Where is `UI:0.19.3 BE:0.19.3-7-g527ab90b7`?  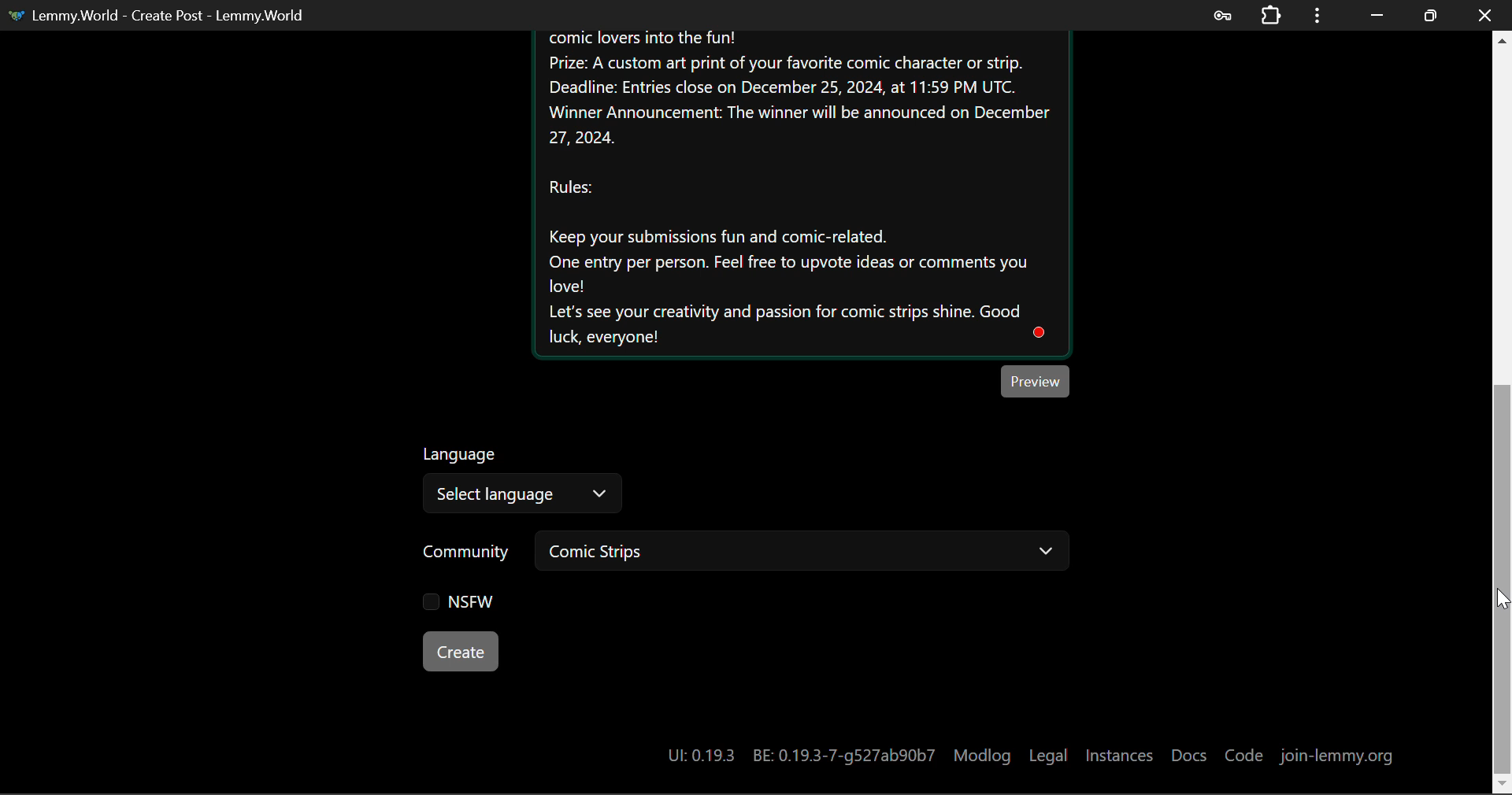
UI:0.19.3 BE:0.19.3-7-g527ab90b7 is located at coordinates (800, 756).